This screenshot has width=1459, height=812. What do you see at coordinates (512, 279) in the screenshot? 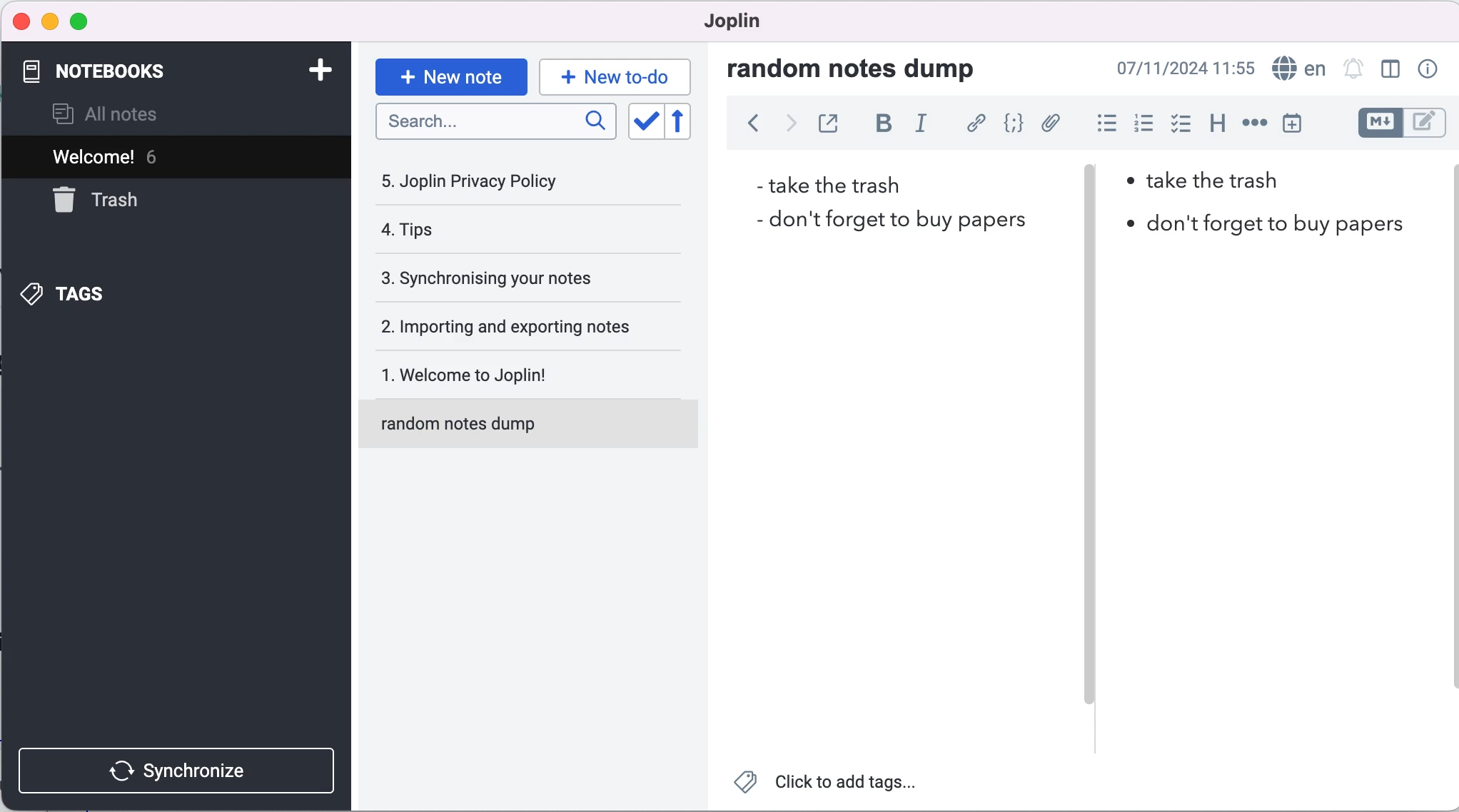
I see `synchronising your notes` at bounding box center [512, 279].